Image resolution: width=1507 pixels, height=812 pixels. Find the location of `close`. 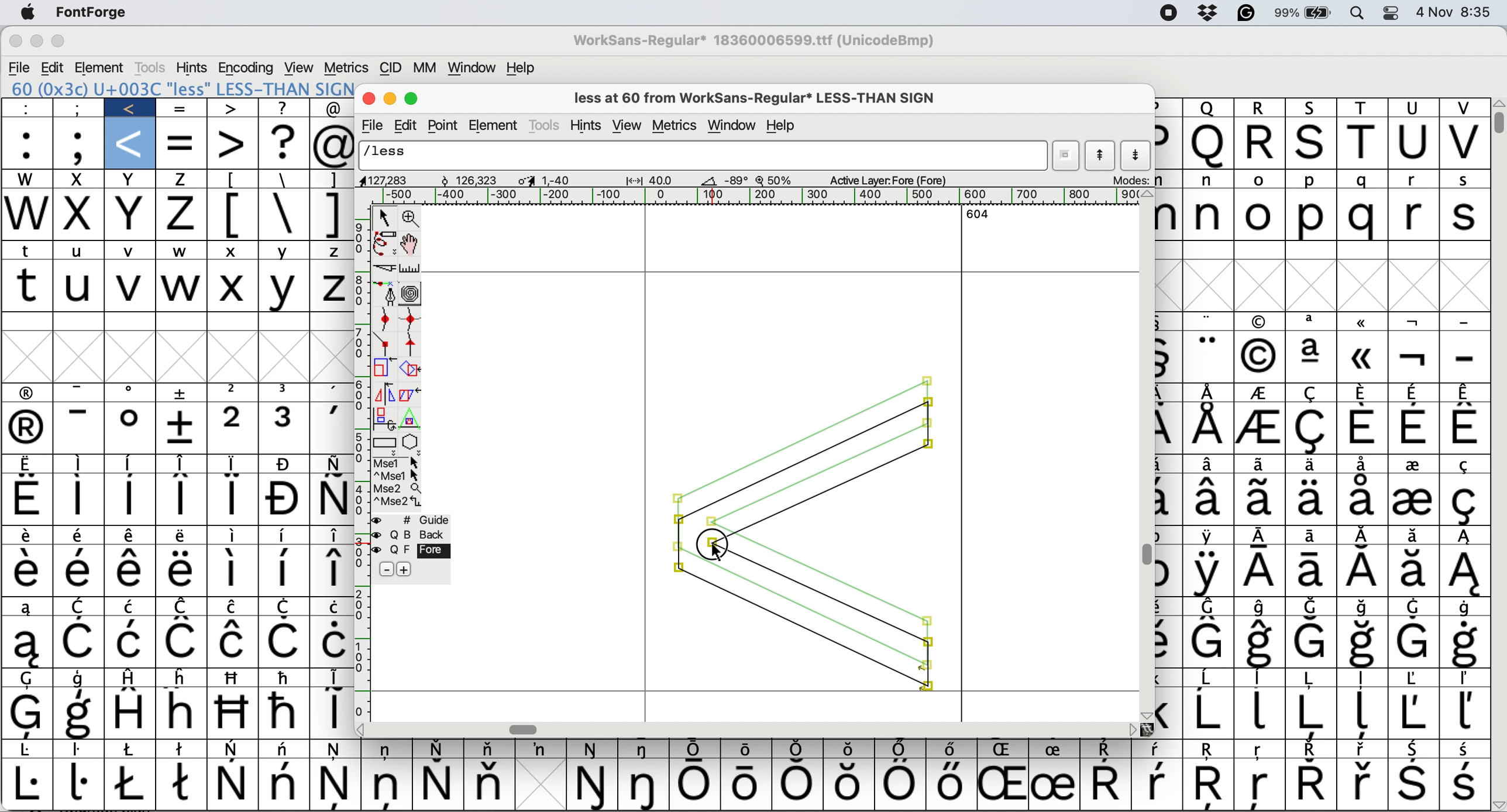

close is located at coordinates (12, 42).